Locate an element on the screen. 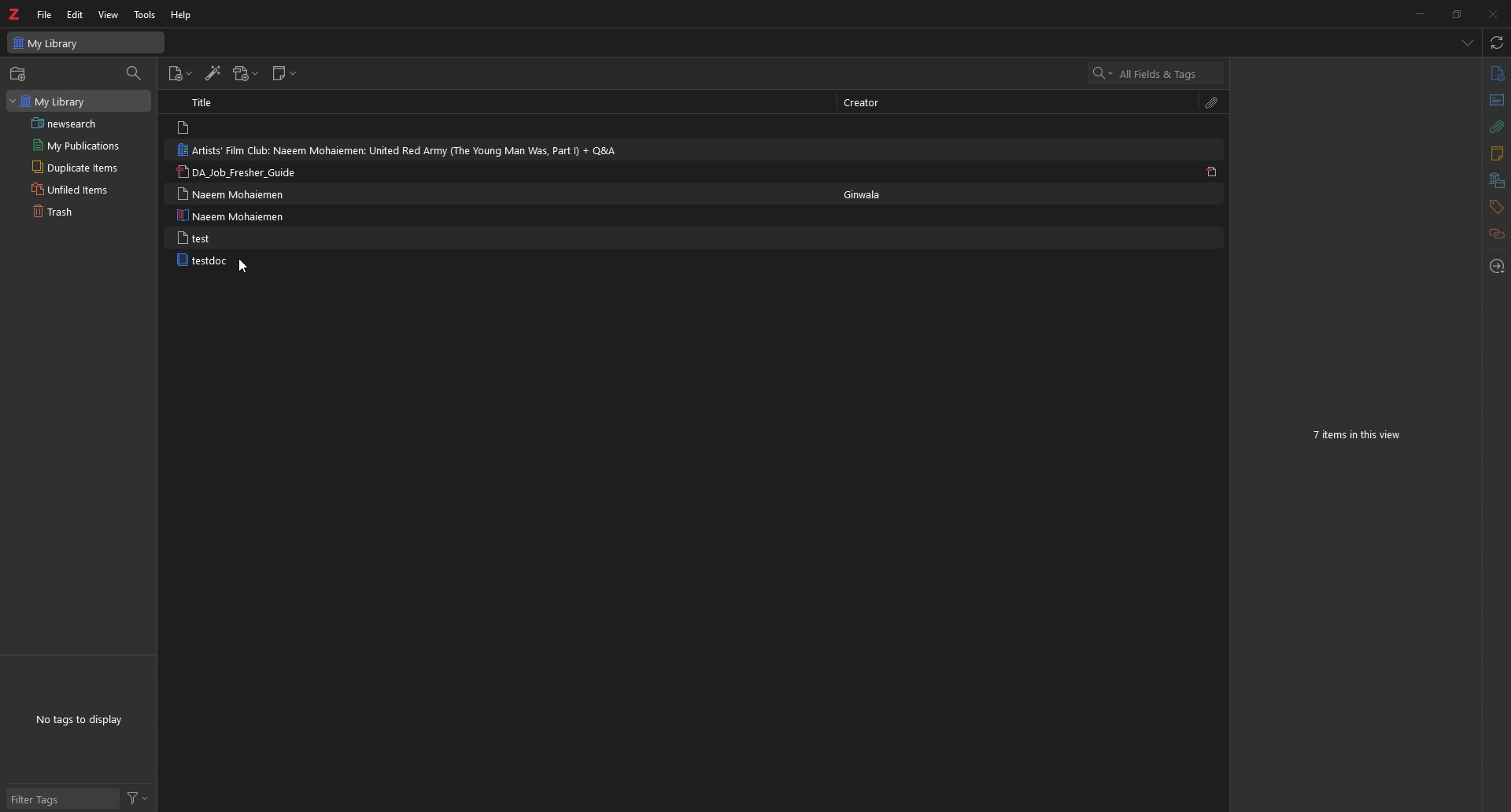 This screenshot has height=812, width=1511. File is located at coordinates (45, 16).